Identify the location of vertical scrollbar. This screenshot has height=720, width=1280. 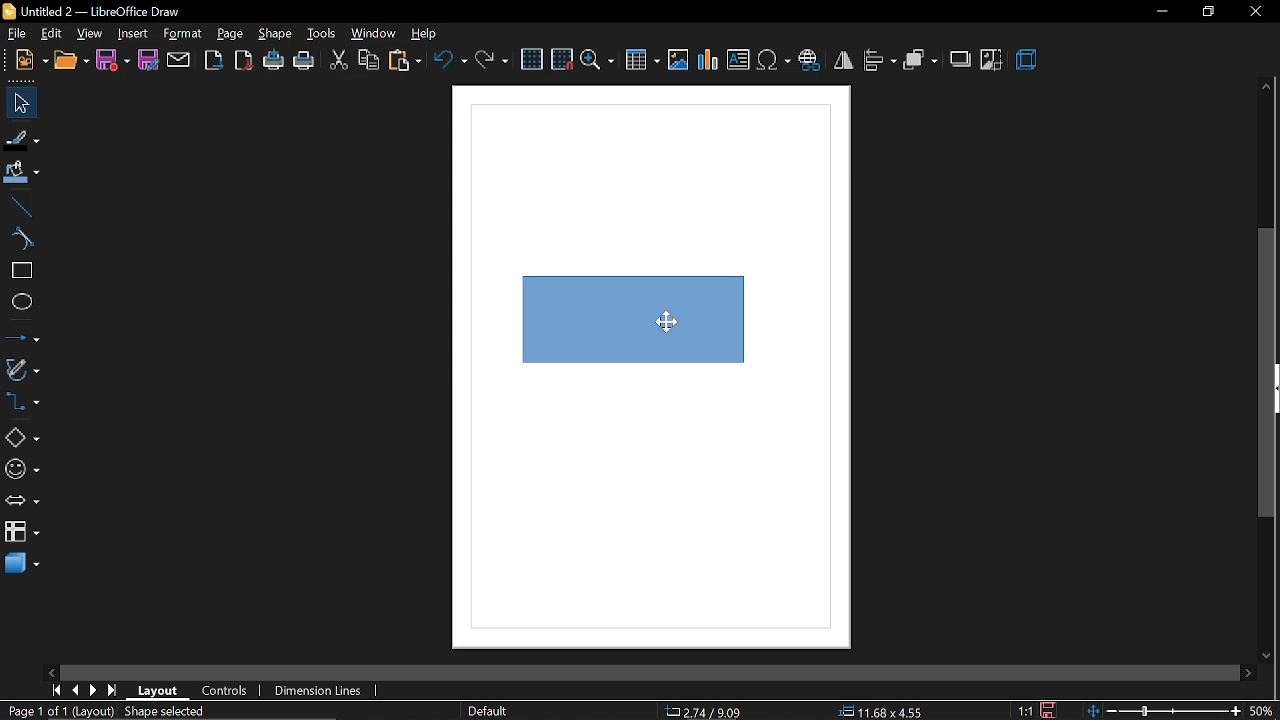
(1267, 373).